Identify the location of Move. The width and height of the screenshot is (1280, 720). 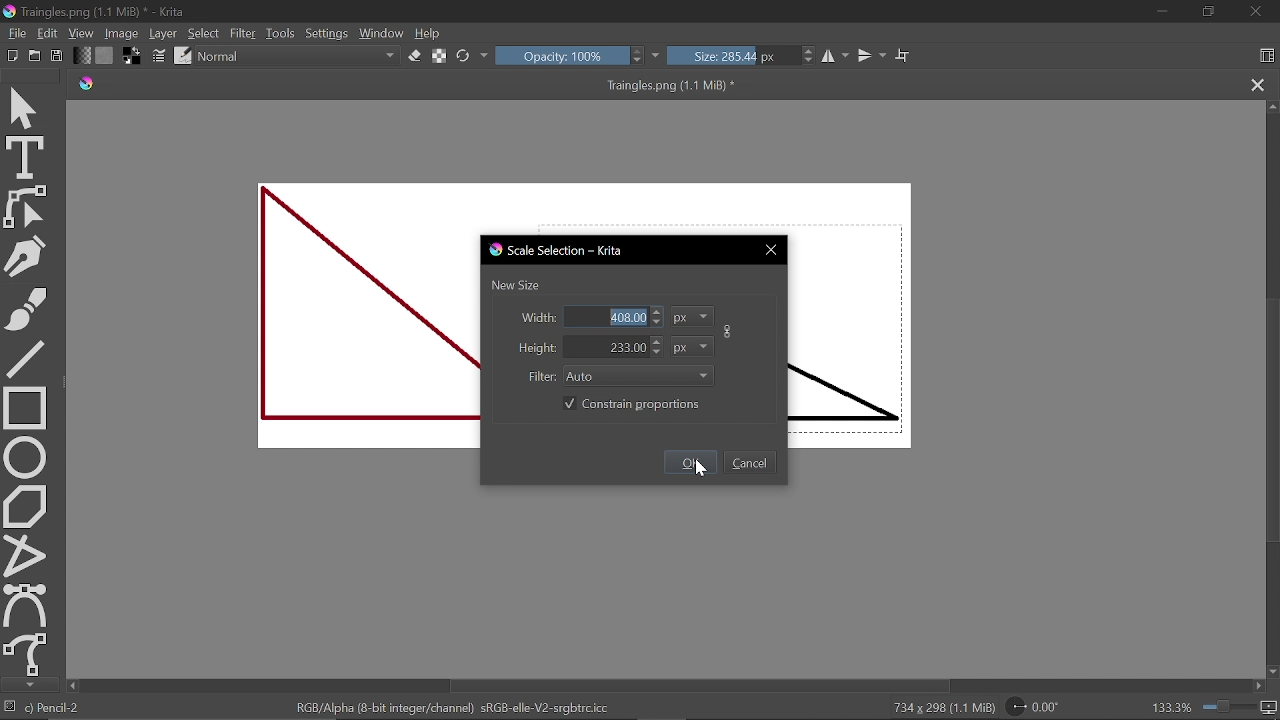
(27, 104).